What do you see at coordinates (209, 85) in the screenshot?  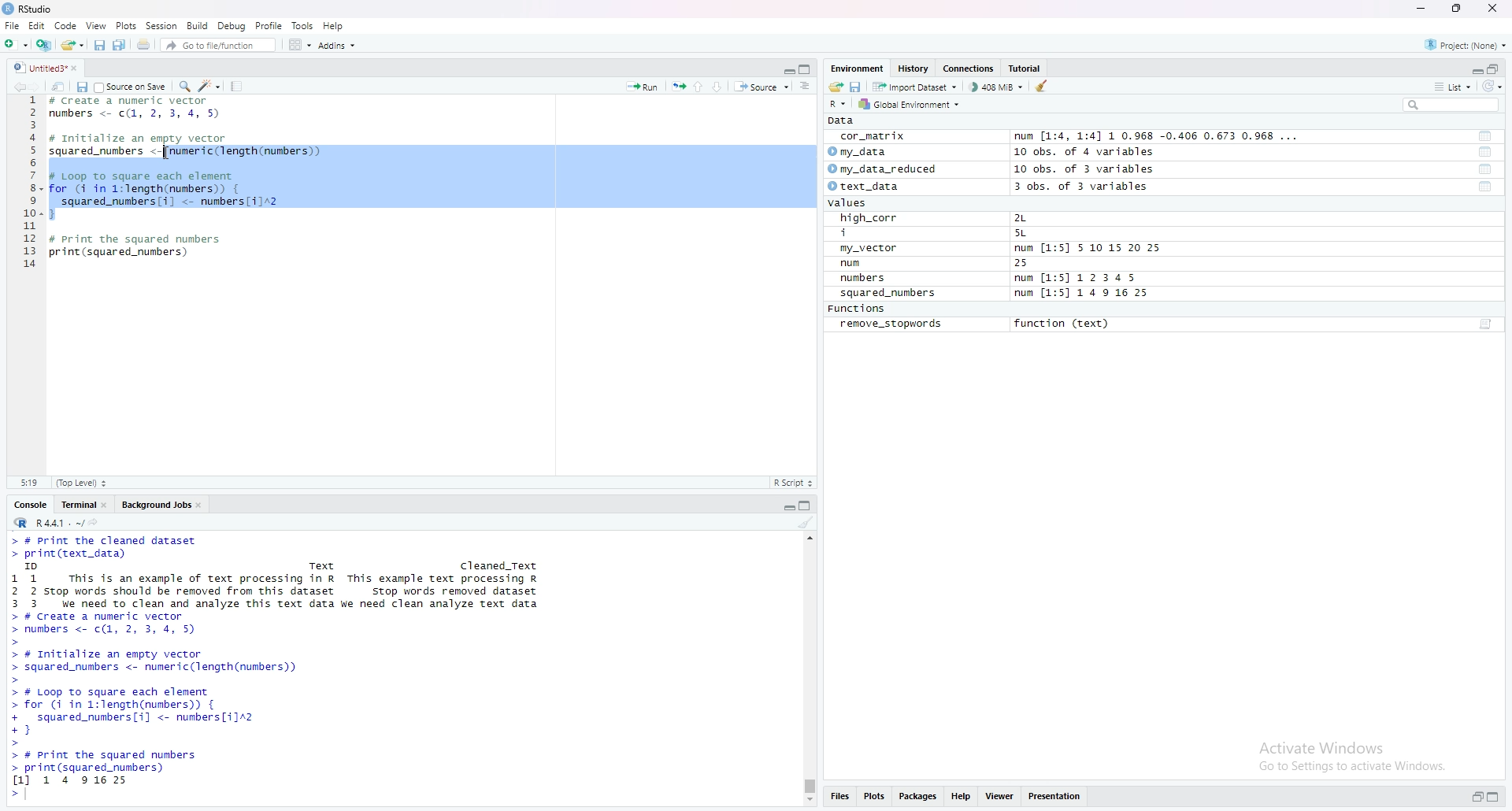 I see `code tools` at bounding box center [209, 85].